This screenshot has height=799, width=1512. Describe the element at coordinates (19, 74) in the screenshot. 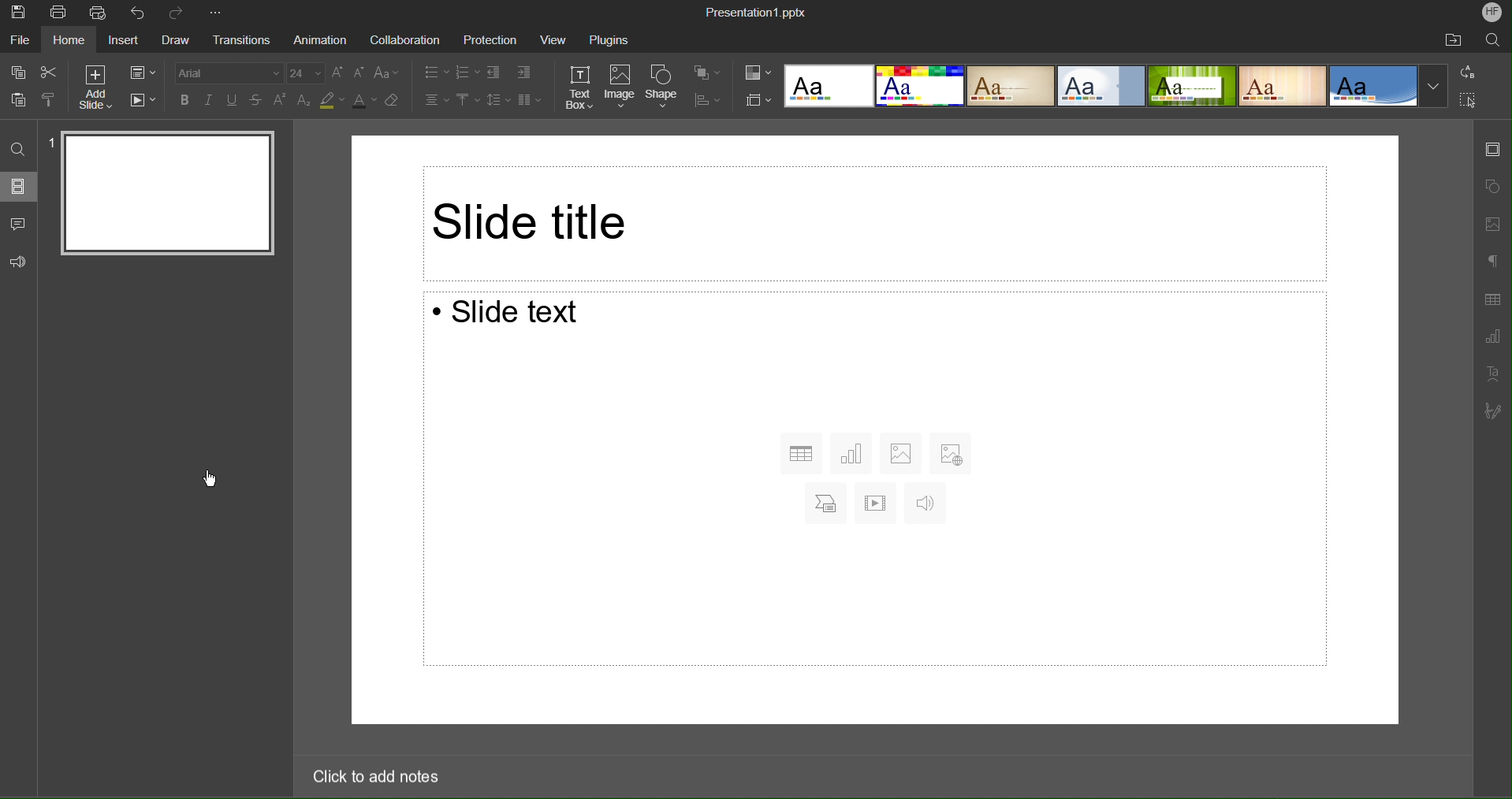

I see `copy` at that location.